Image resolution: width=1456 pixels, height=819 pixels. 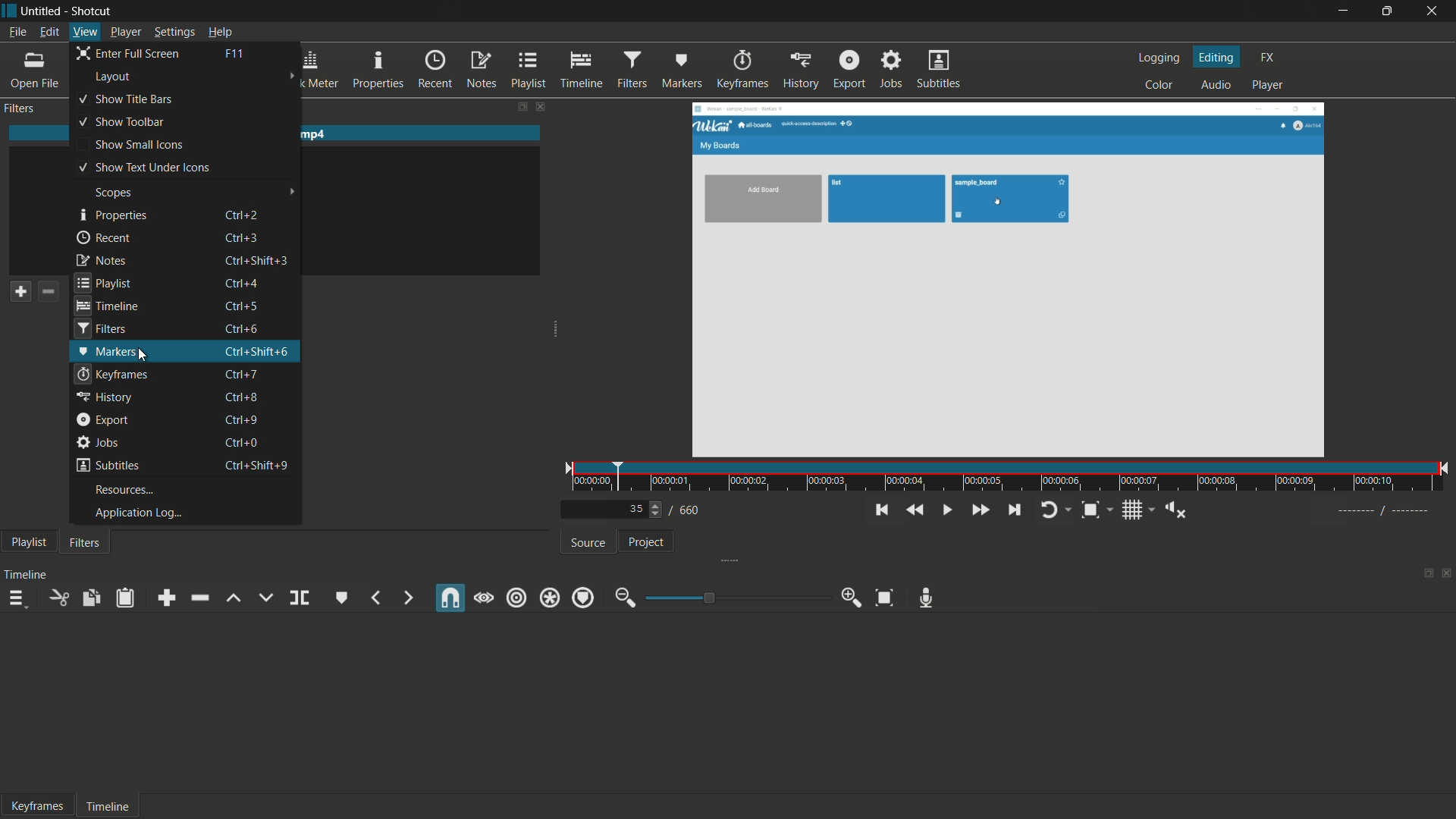 I want to click on paste, so click(x=125, y=598).